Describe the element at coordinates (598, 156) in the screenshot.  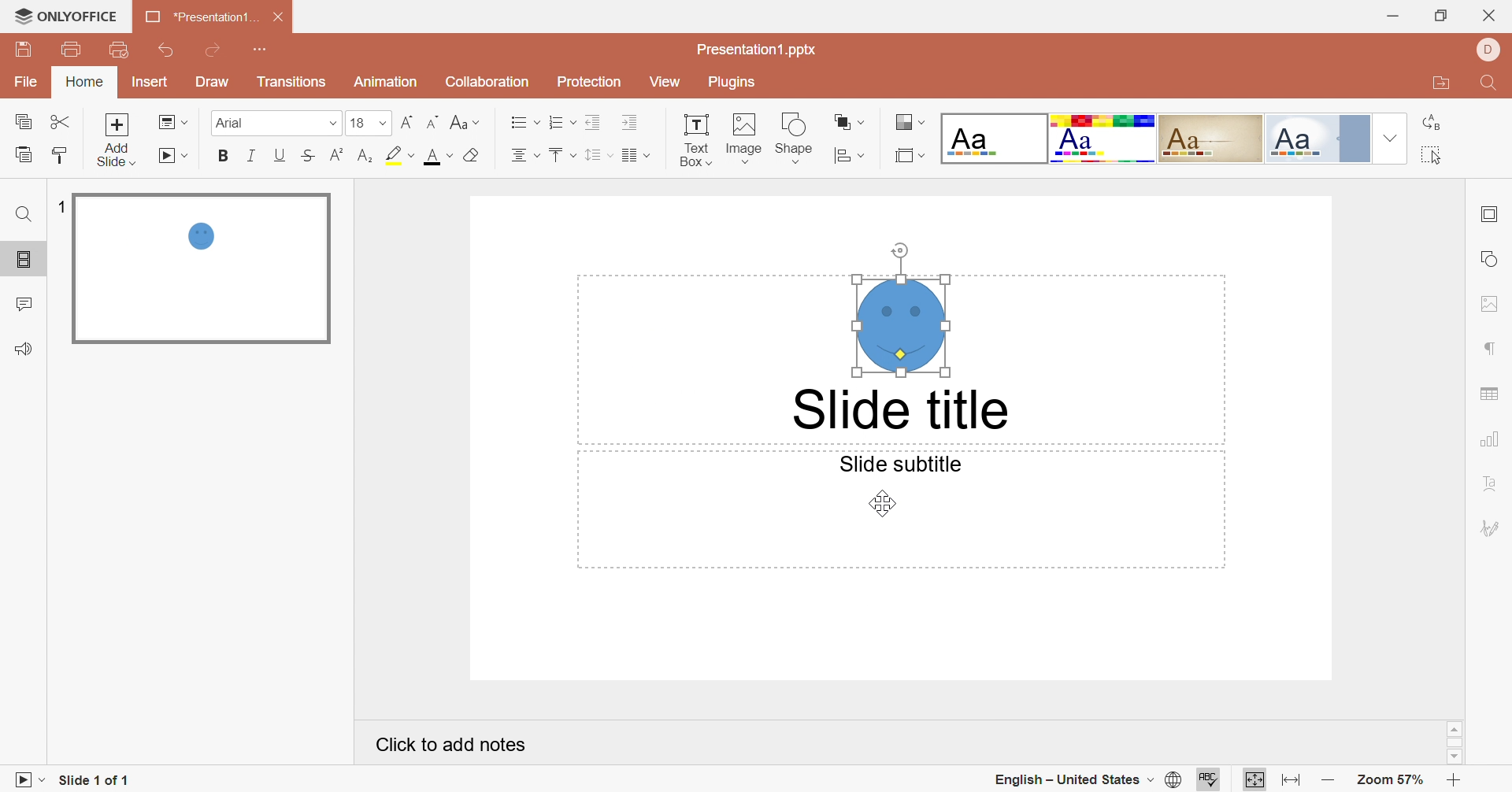
I see `Line spacing` at that location.